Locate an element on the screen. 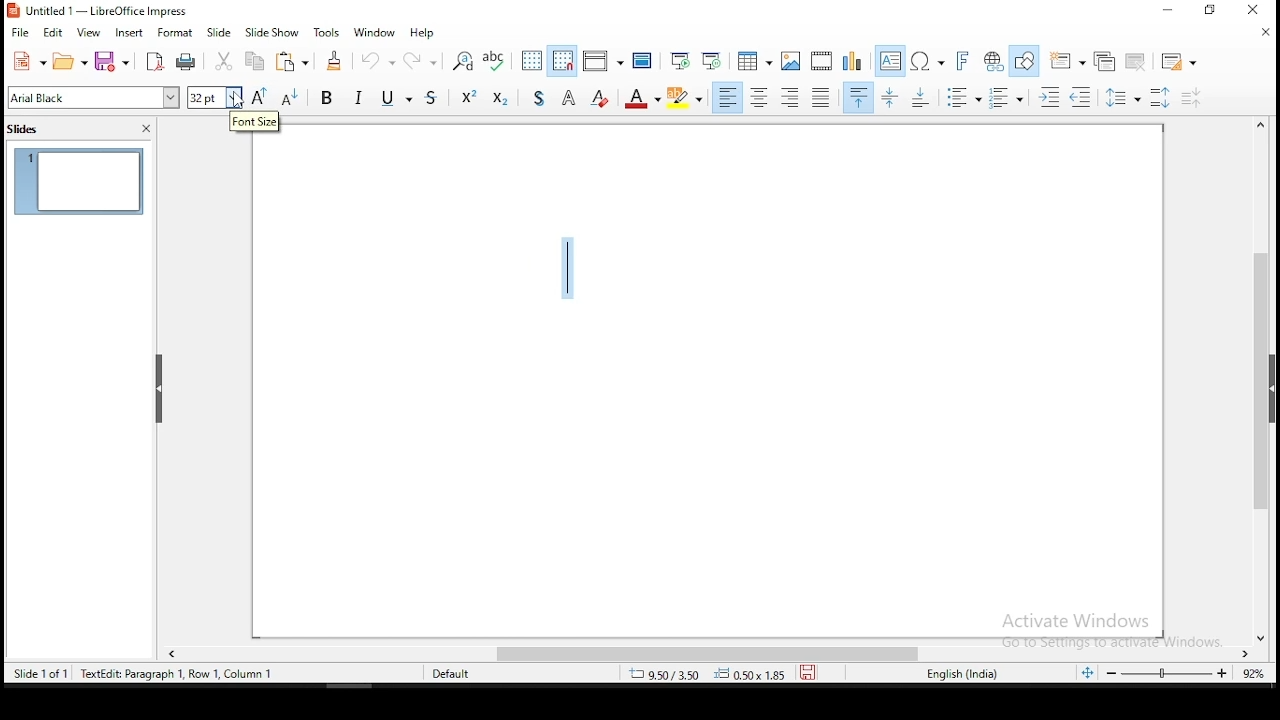 The image size is (1280, 720). open is located at coordinates (70, 61).